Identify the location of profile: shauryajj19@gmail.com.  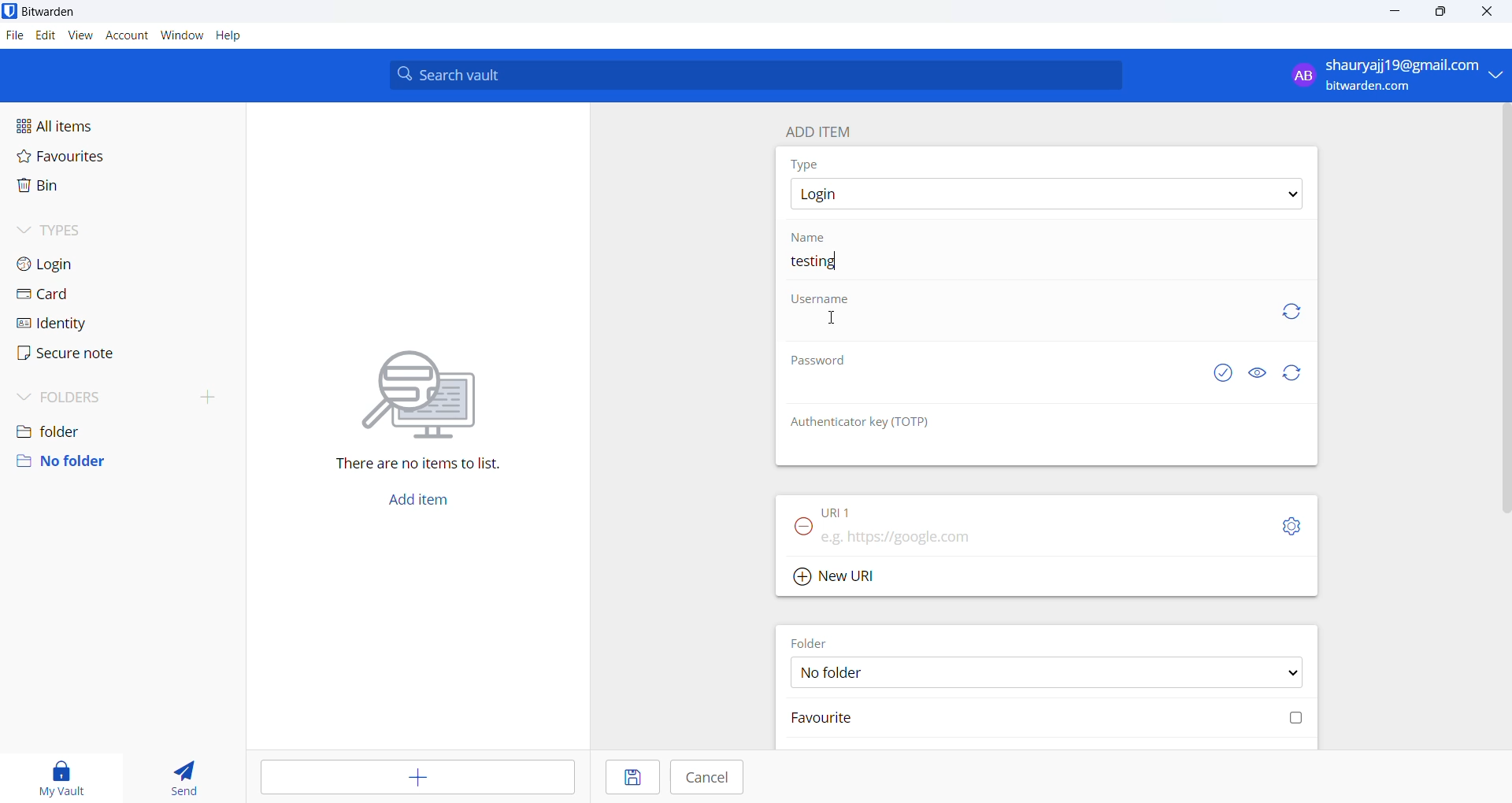
(1392, 75).